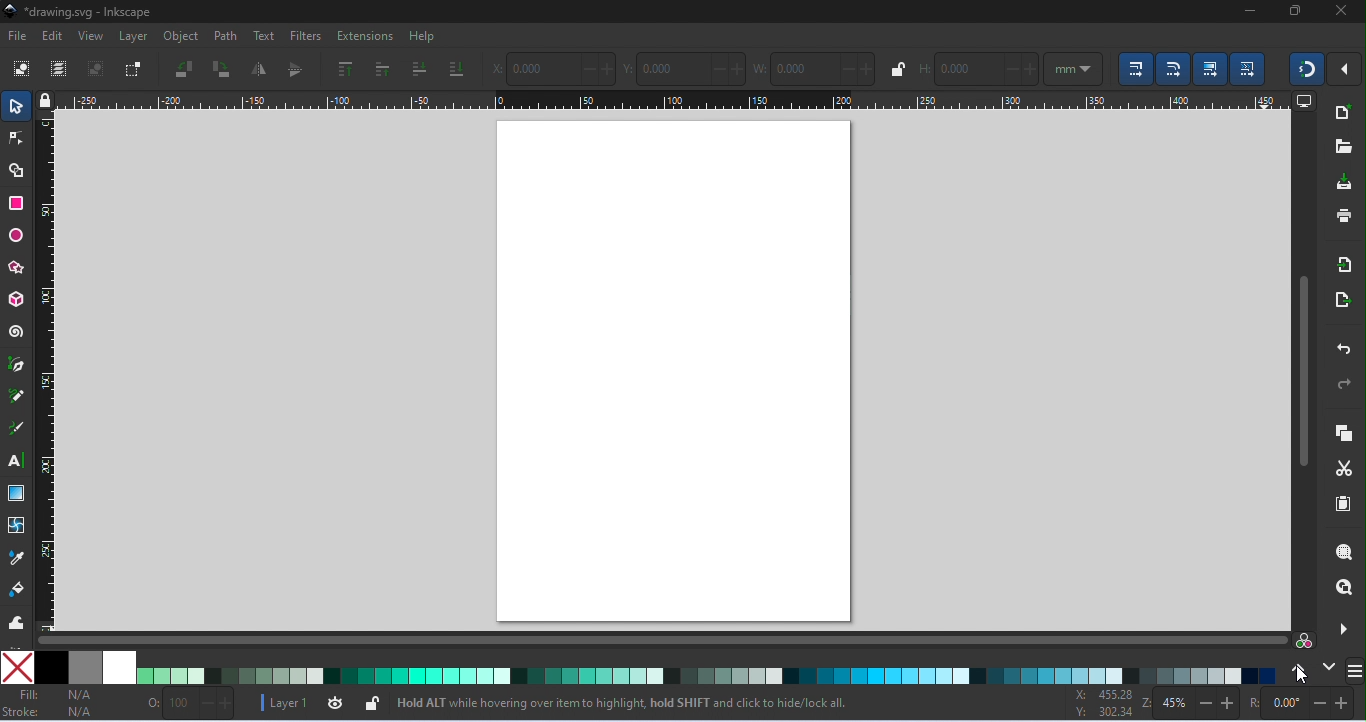 The height and width of the screenshot is (722, 1366). What do you see at coordinates (23, 69) in the screenshot?
I see `select all` at bounding box center [23, 69].